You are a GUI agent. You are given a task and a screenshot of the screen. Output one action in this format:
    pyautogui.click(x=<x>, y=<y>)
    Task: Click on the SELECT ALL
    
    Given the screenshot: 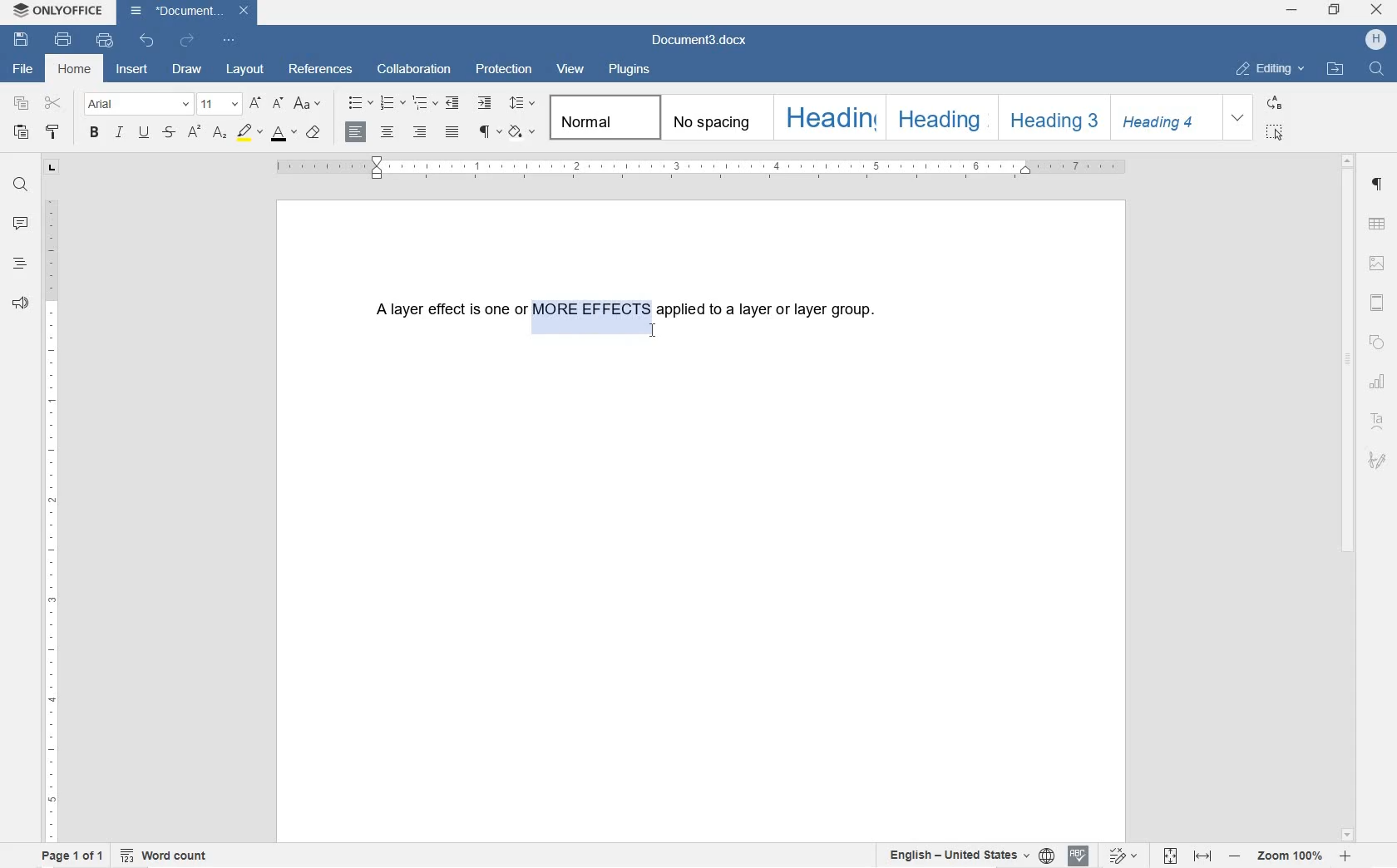 What is the action you would take?
    pyautogui.click(x=1276, y=132)
    